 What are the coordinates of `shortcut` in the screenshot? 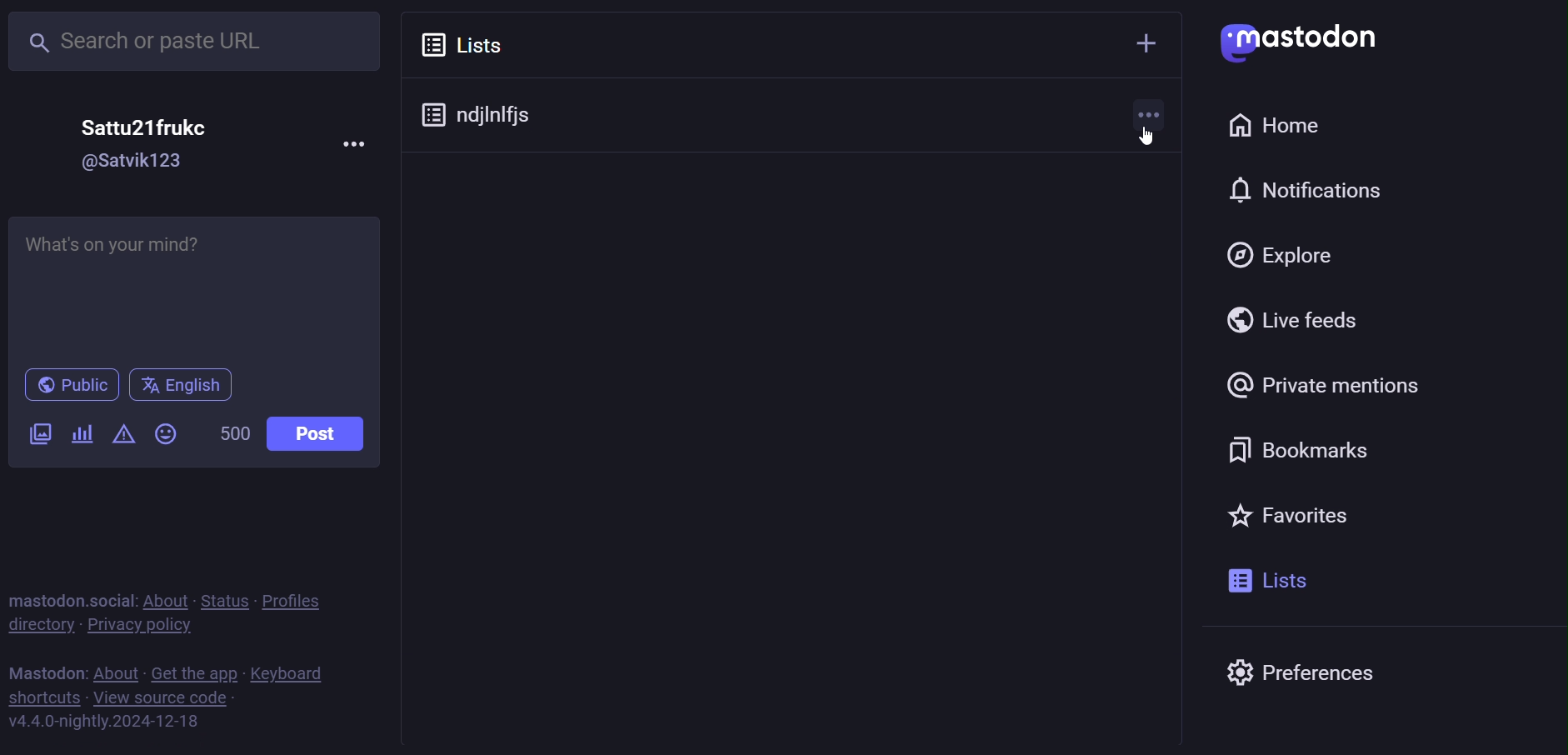 It's located at (43, 700).